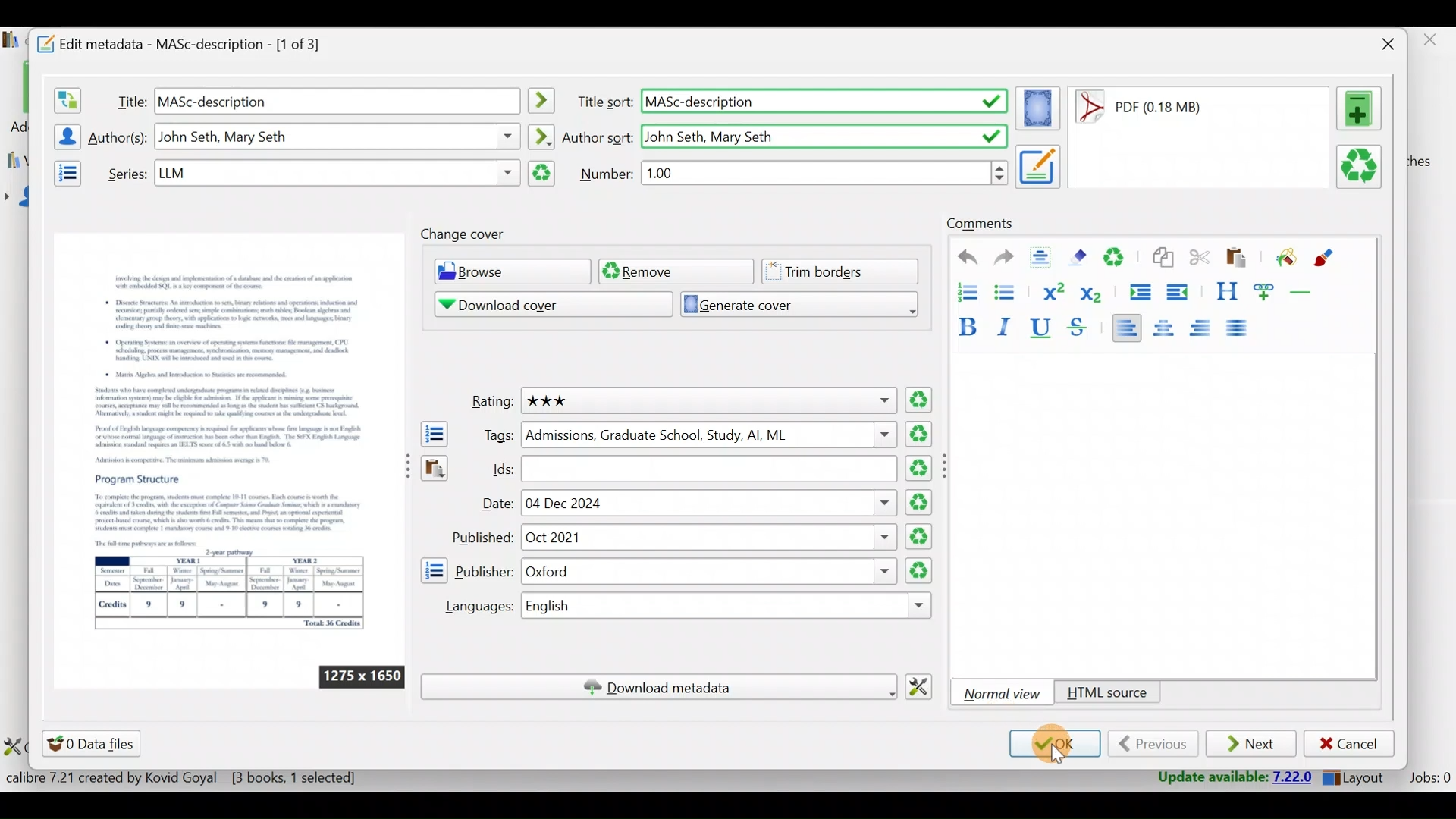 This screenshot has width=1456, height=819. Describe the element at coordinates (1045, 329) in the screenshot. I see `Underline` at that location.